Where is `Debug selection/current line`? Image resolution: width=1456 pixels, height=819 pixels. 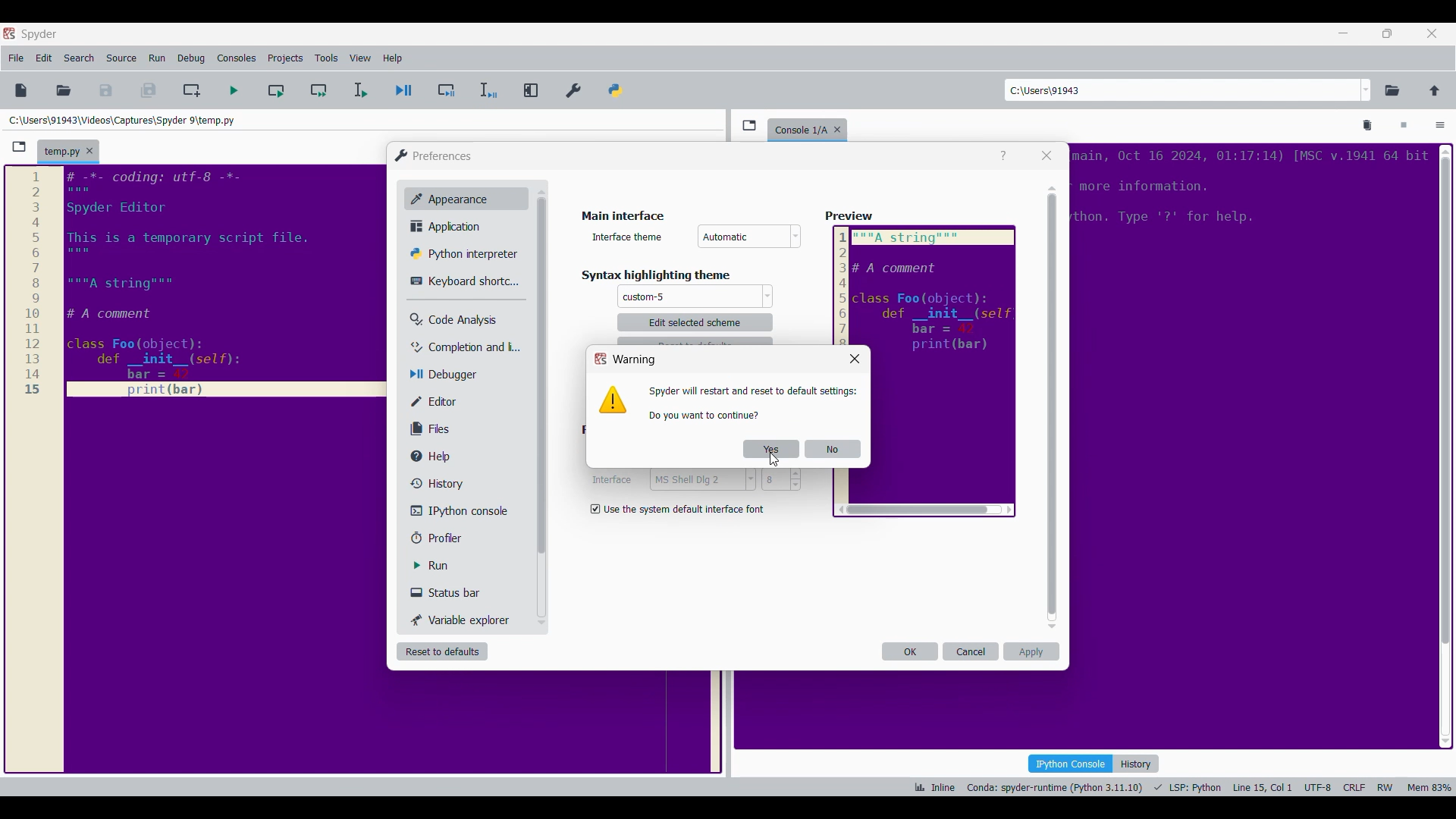
Debug selection/current line is located at coordinates (488, 90).